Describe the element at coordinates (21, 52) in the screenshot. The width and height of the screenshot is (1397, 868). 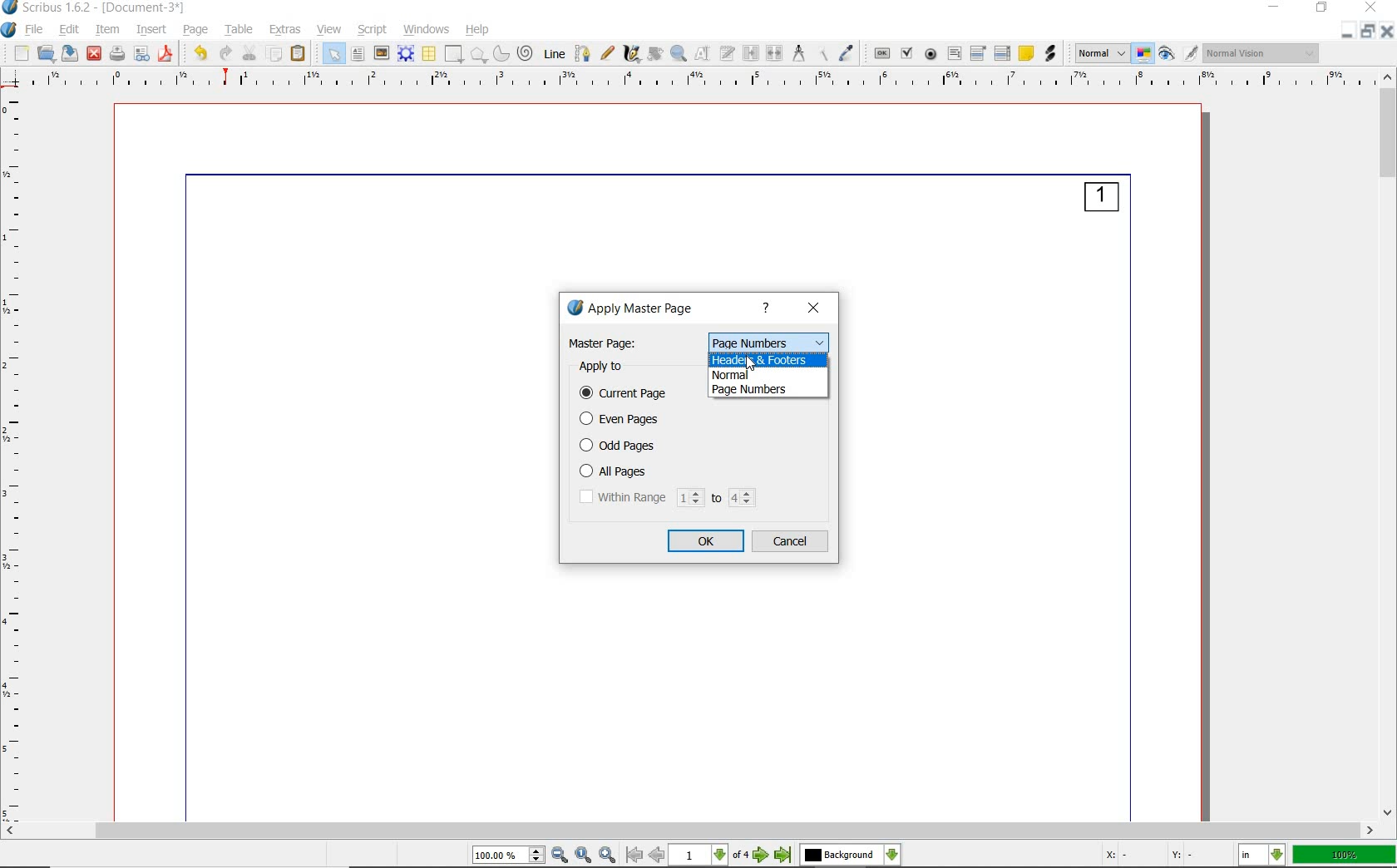
I see `new` at that location.